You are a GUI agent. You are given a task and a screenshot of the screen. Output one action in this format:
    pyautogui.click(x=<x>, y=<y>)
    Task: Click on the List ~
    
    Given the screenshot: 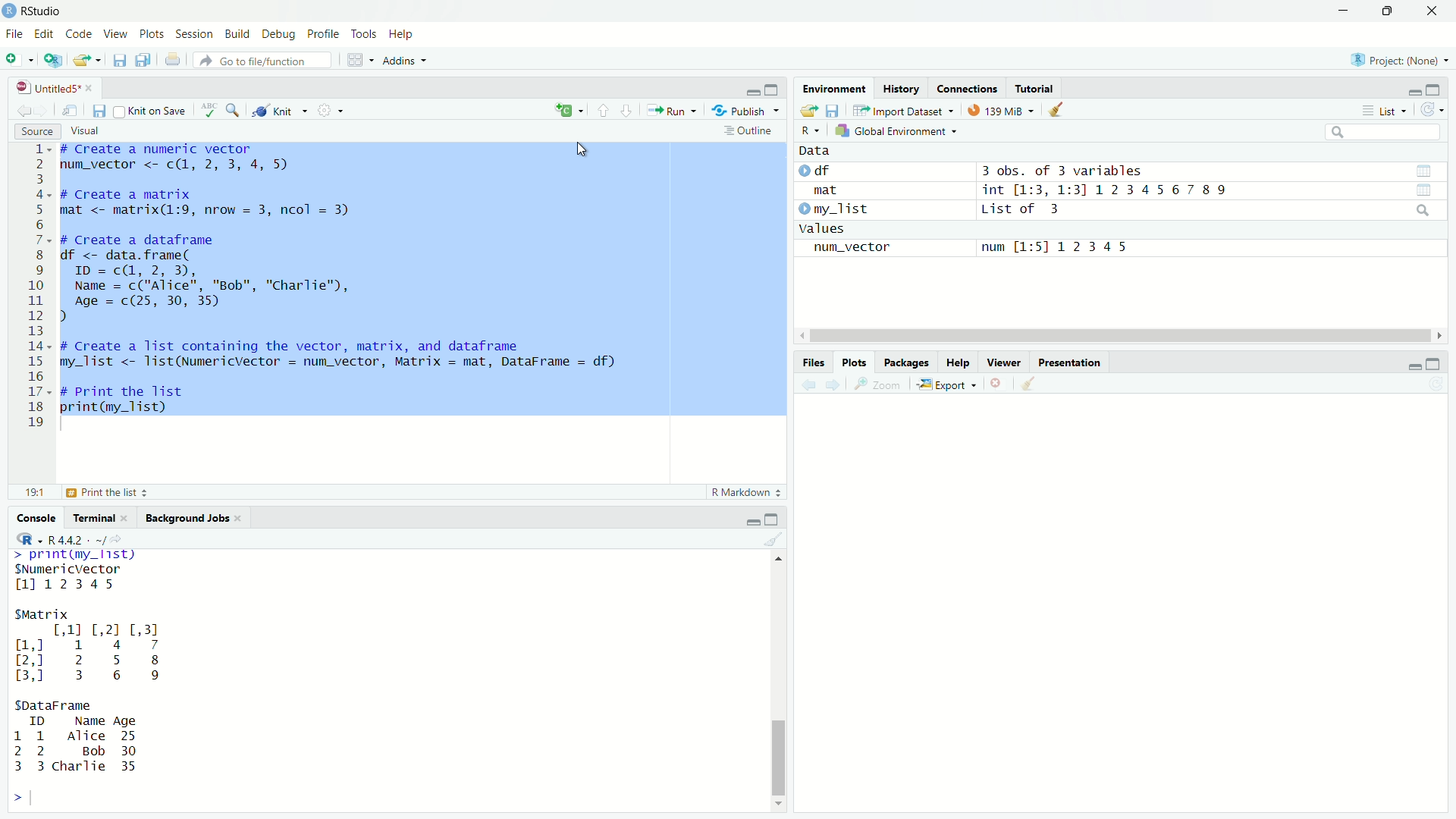 What is the action you would take?
    pyautogui.click(x=1386, y=110)
    